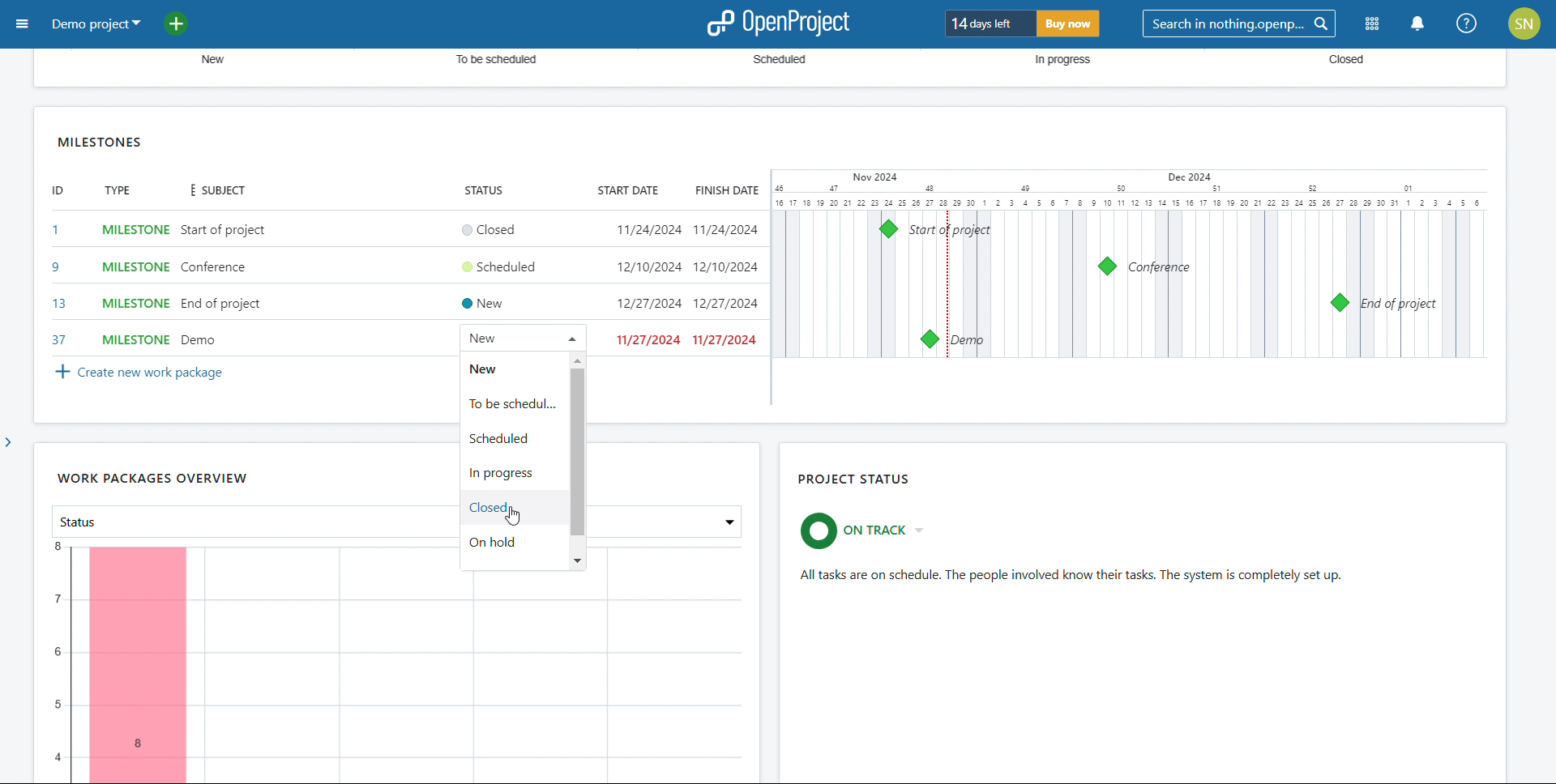 The width and height of the screenshot is (1556, 784). Describe the element at coordinates (207, 60) in the screenshot. I see `new` at that location.